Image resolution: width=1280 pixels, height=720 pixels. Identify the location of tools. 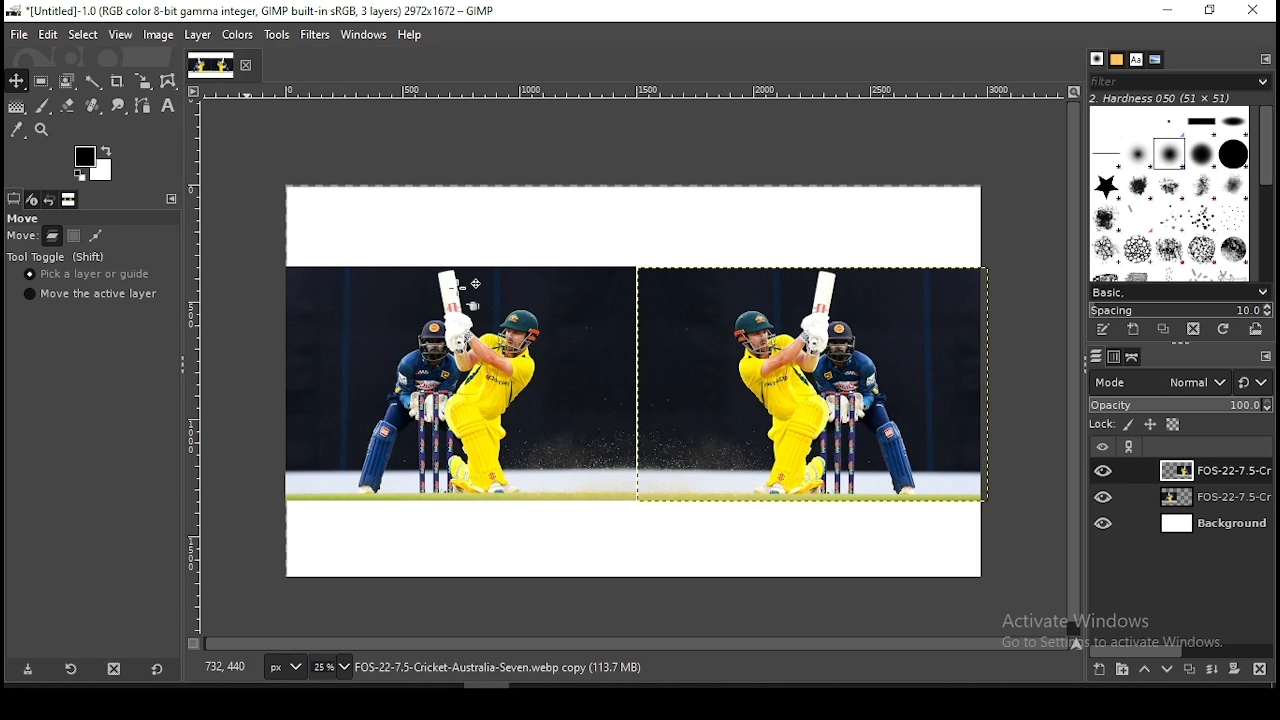
(280, 35).